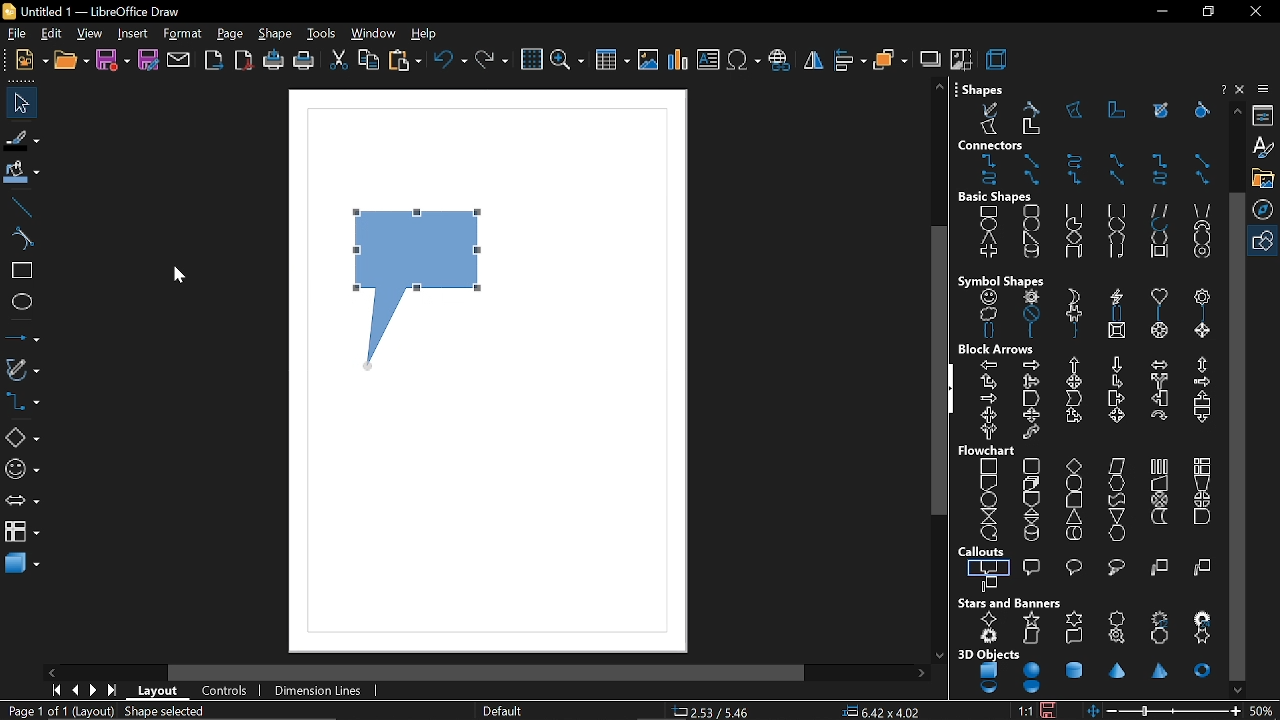 The width and height of the screenshot is (1280, 720). Describe the element at coordinates (1114, 253) in the screenshot. I see `folded corner` at that location.